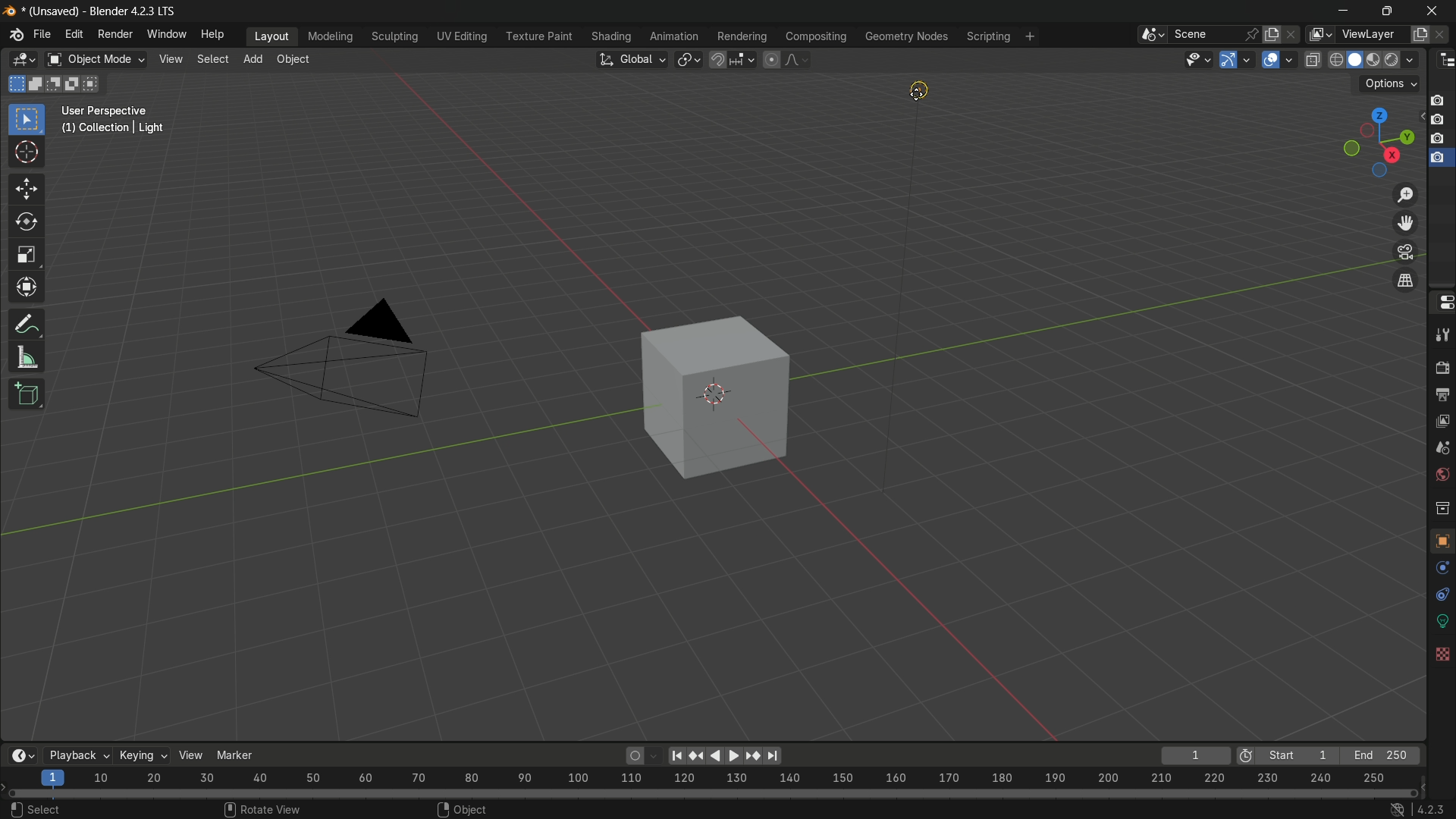  I want to click on logo, so click(14, 36).